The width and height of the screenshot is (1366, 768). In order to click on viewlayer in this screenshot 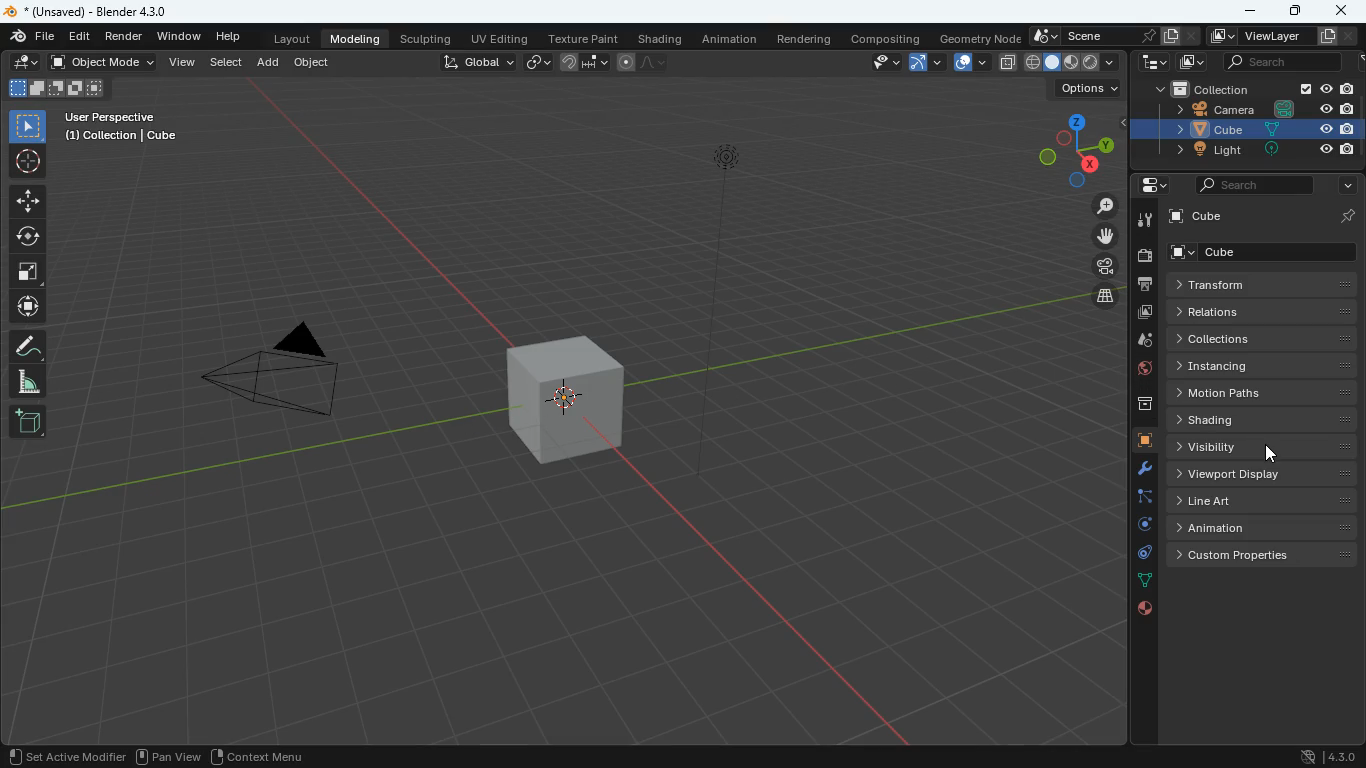, I will do `click(1280, 36)`.